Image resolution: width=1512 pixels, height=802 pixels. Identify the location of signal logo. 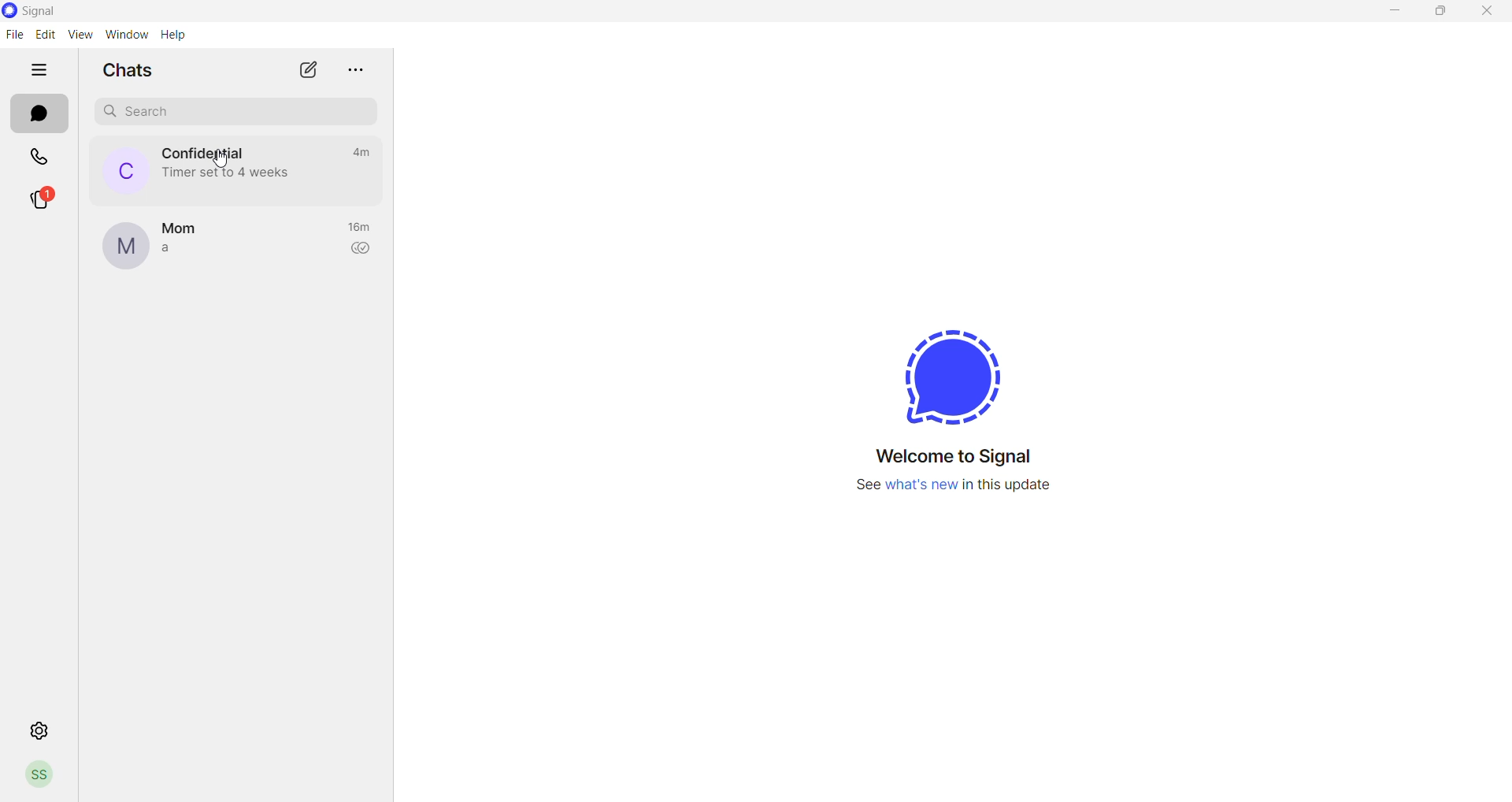
(943, 376).